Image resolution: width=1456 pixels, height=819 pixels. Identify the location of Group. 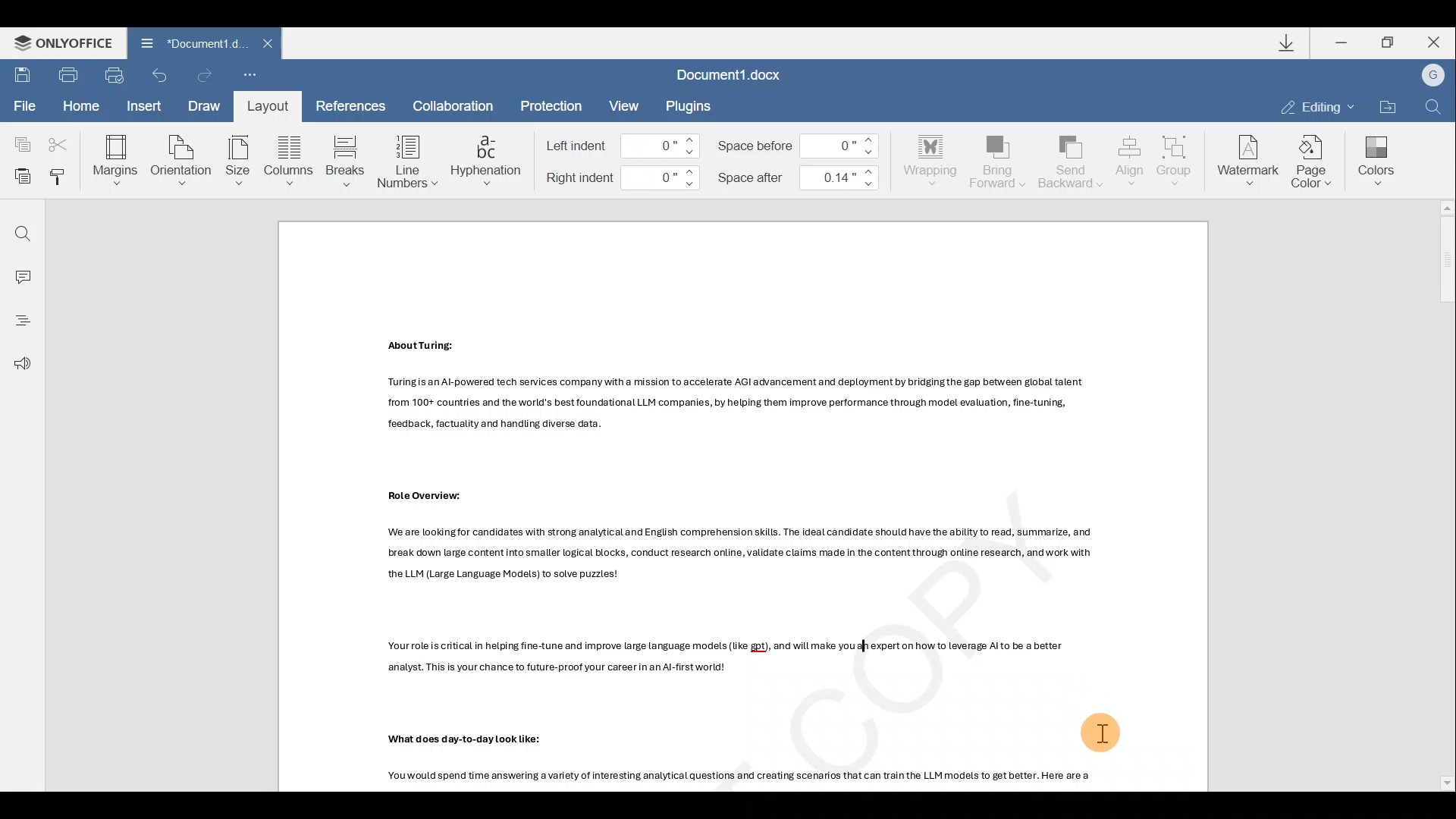
(1179, 157).